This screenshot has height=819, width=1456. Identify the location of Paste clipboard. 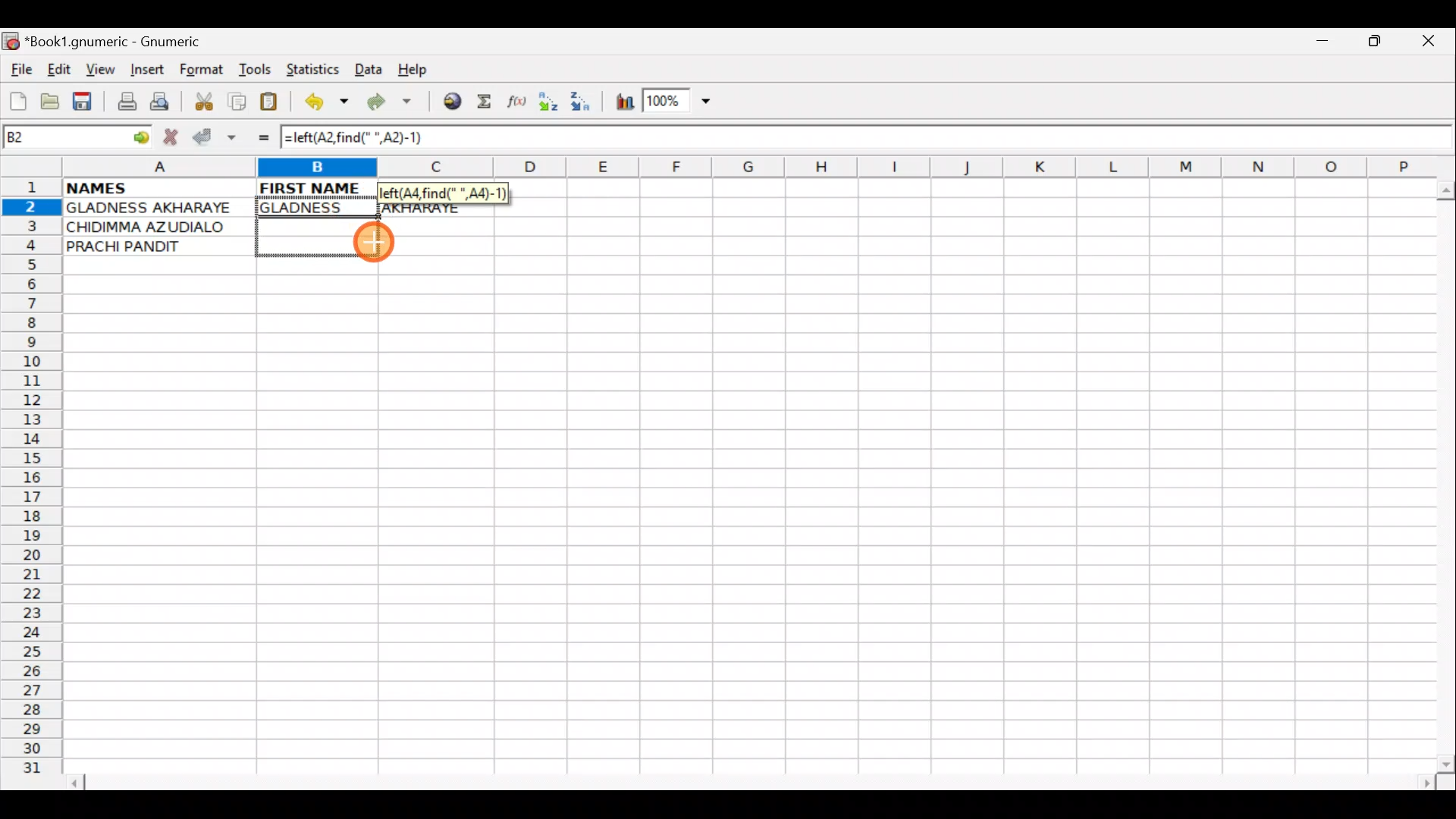
(274, 104).